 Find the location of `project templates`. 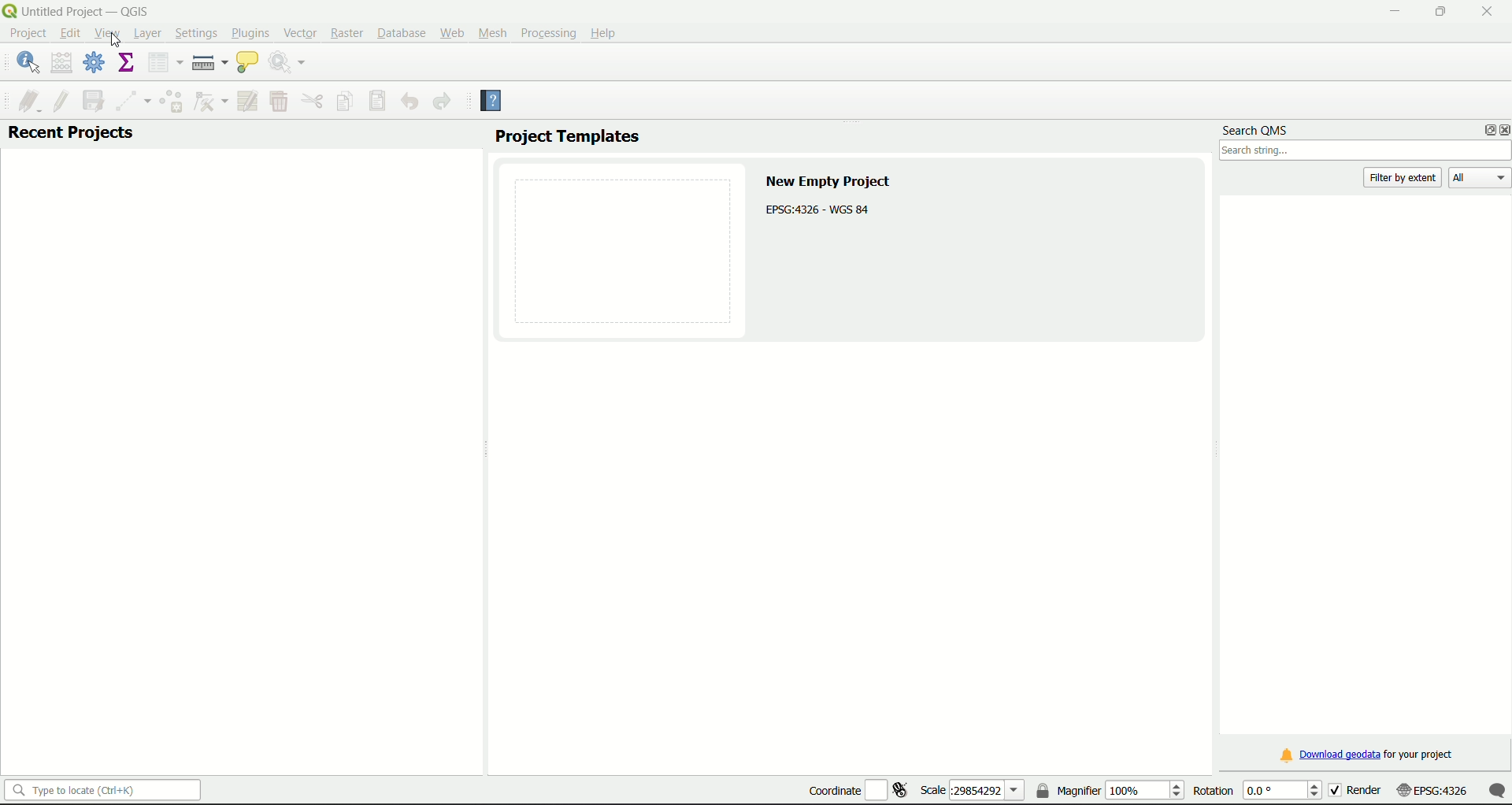

project templates is located at coordinates (568, 136).